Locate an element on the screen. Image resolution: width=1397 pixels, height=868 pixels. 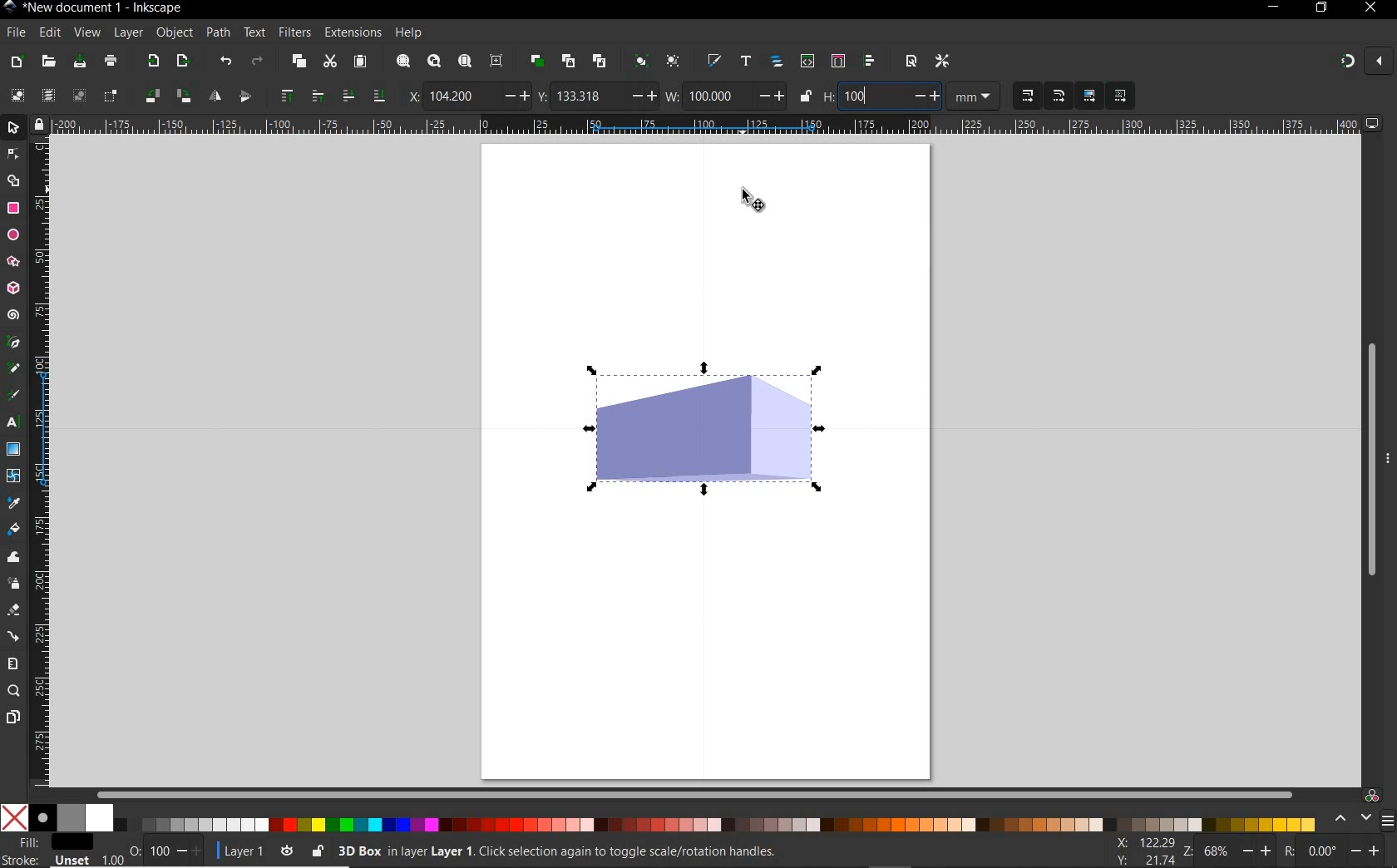
extensions is located at coordinates (351, 33).